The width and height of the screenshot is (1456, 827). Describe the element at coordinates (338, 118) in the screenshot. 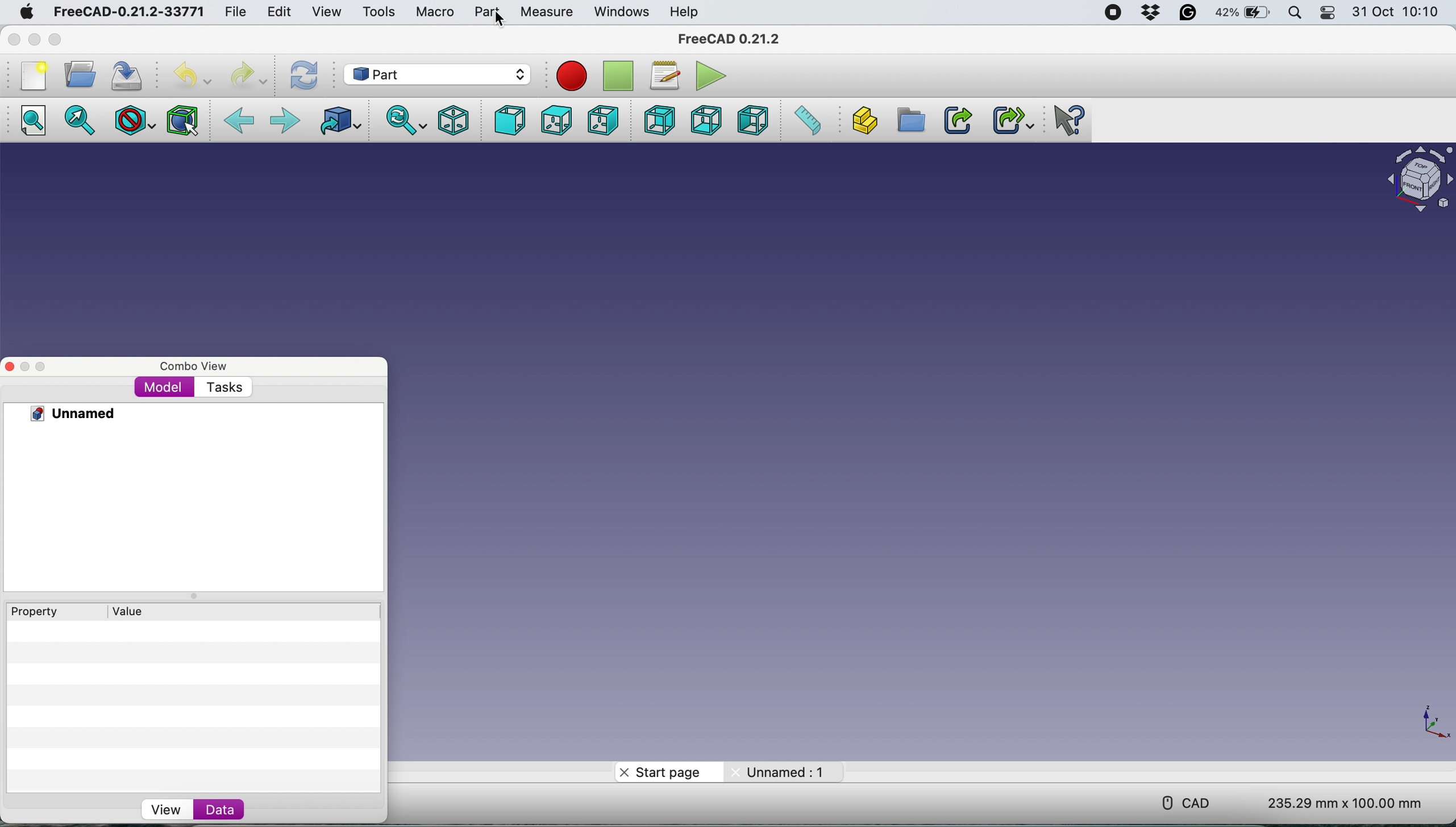

I see `Go to linked object` at that location.